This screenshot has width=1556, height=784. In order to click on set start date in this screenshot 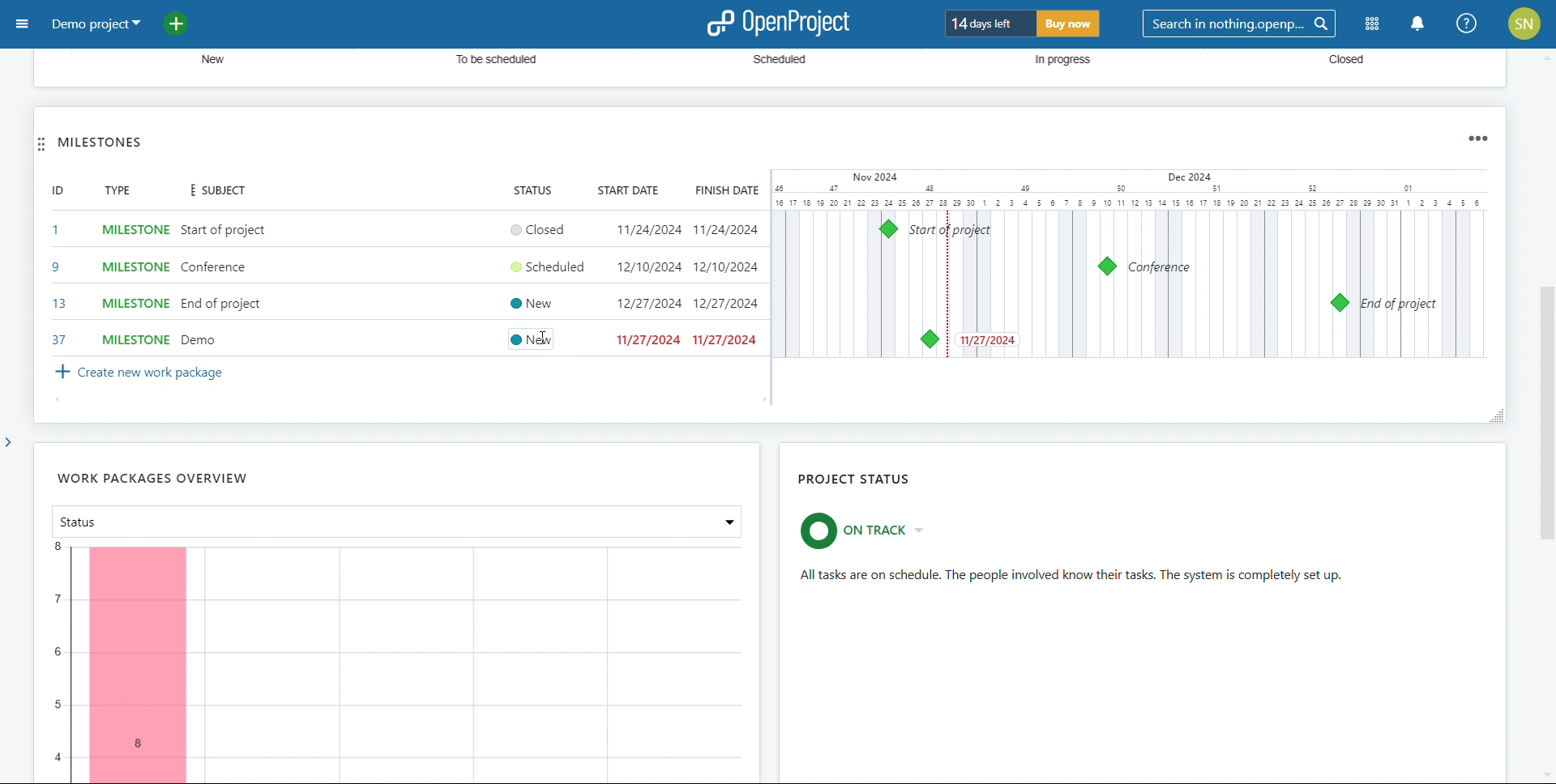, I will do `click(648, 285)`.